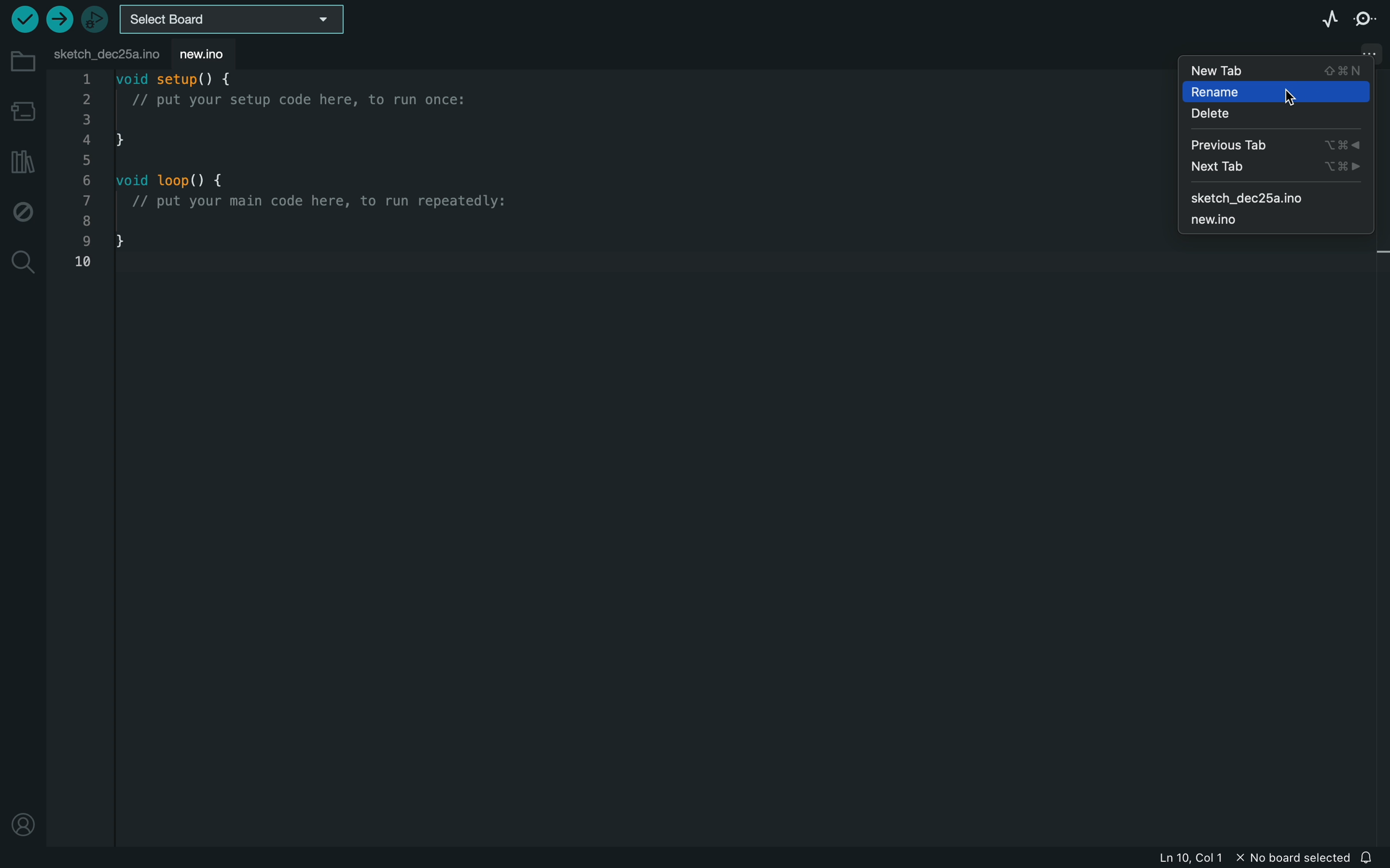 The width and height of the screenshot is (1390, 868). I want to click on code, so click(314, 177).